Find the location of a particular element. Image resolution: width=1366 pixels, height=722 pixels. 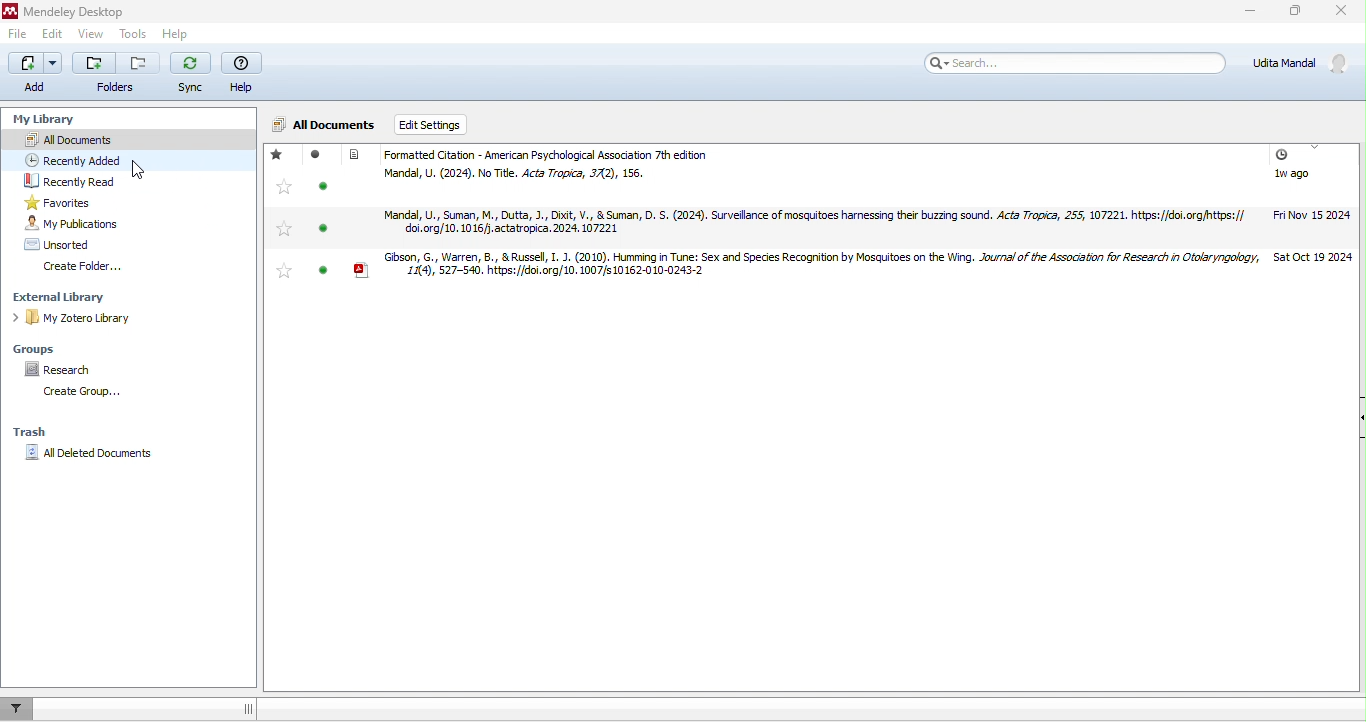

all documents is located at coordinates (317, 124).